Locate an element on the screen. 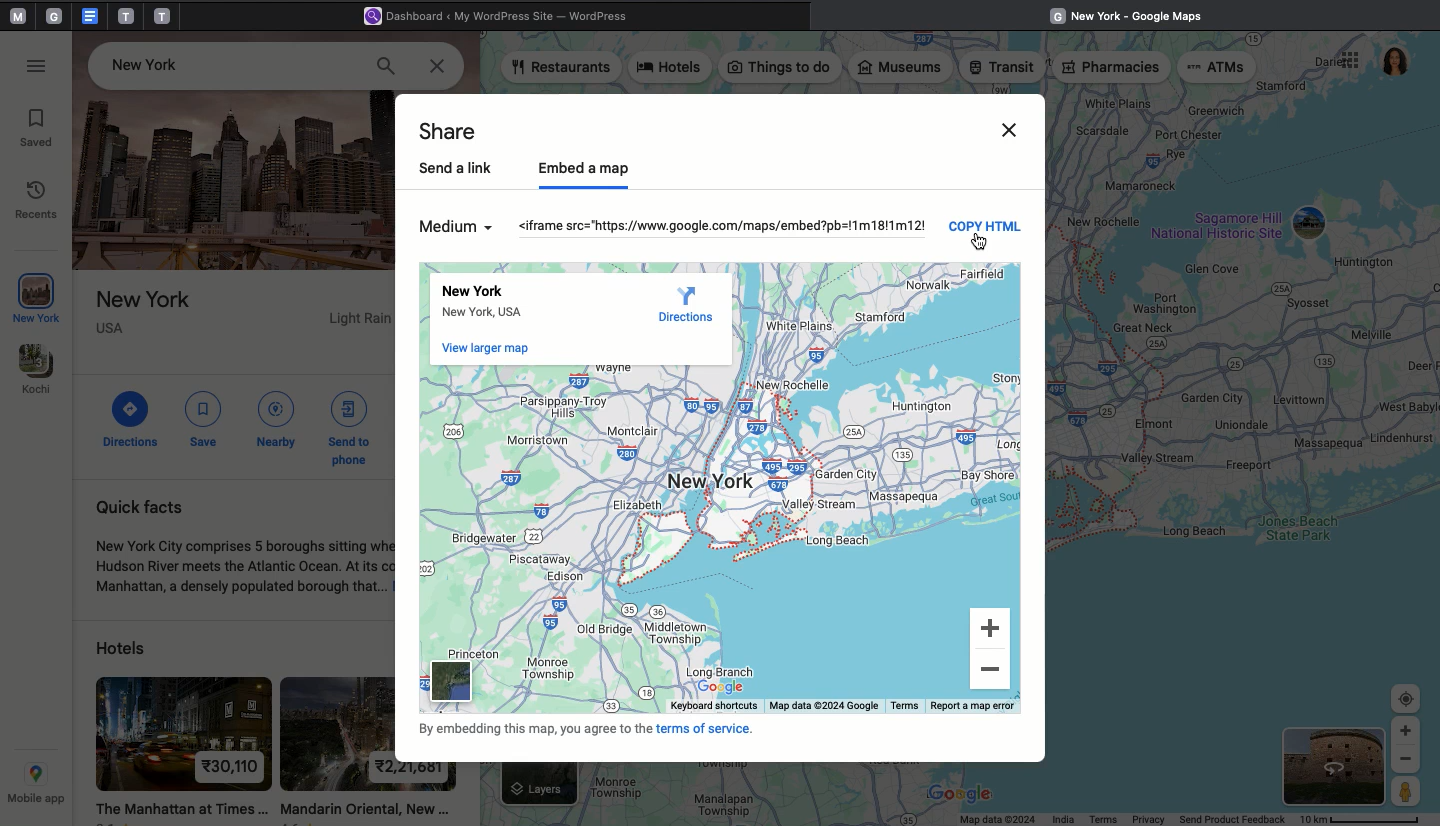 Image resolution: width=1440 pixels, height=826 pixels. Wordpress is located at coordinates (504, 17).